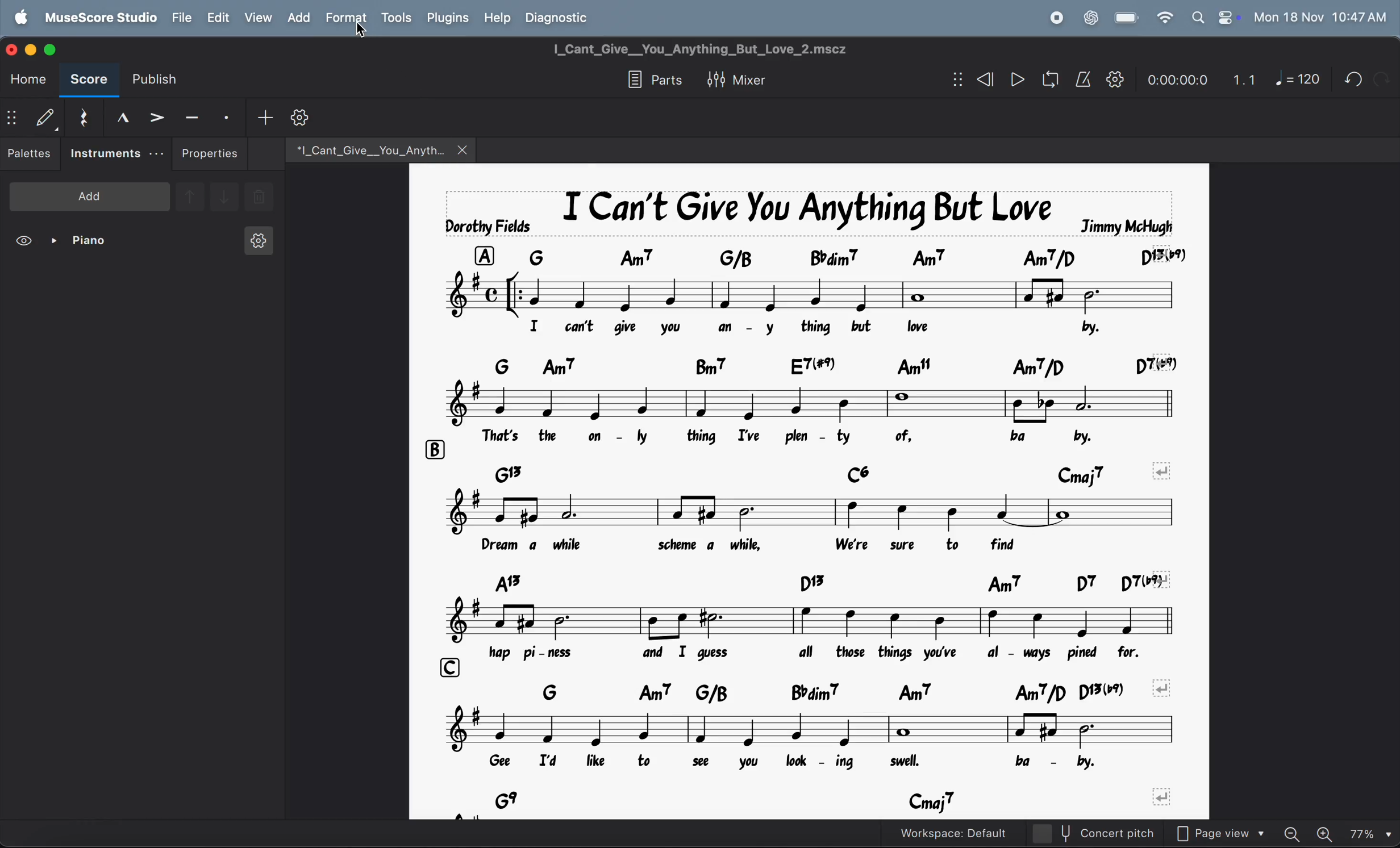 This screenshot has height=848, width=1400. What do you see at coordinates (1090, 16) in the screenshot?
I see `chatgpt` at bounding box center [1090, 16].